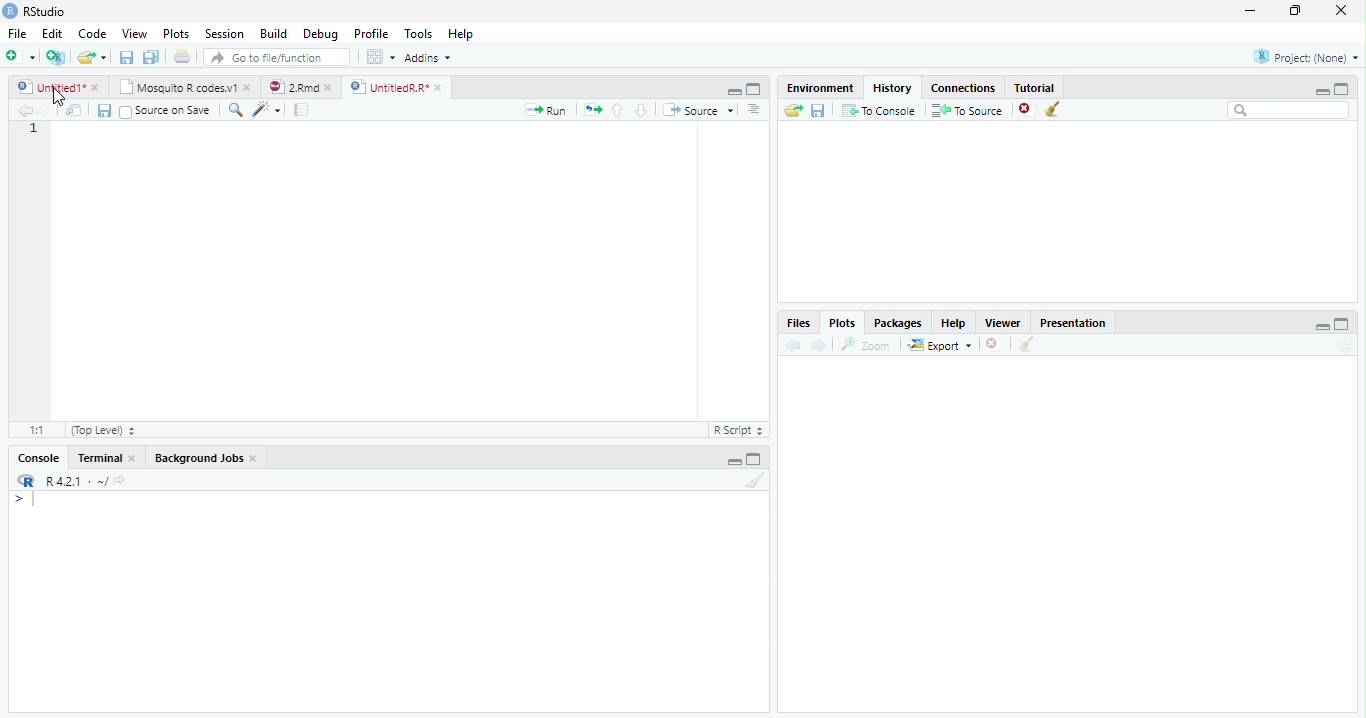  I want to click on Files, so click(797, 323).